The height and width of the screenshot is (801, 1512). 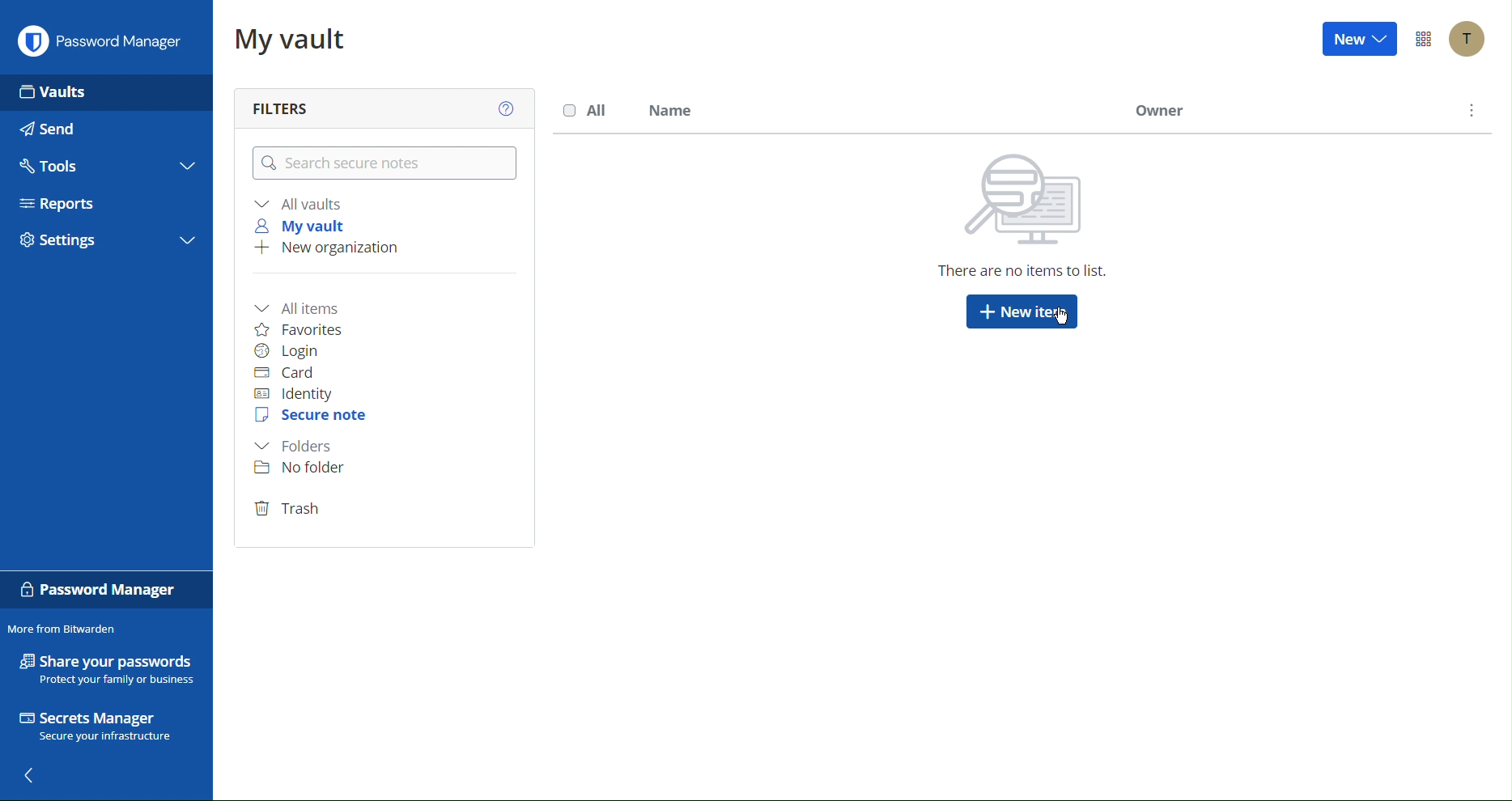 What do you see at coordinates (109, 727) in the screenshot?
I see `Secrets Manager` at bounding box center [109, 727].